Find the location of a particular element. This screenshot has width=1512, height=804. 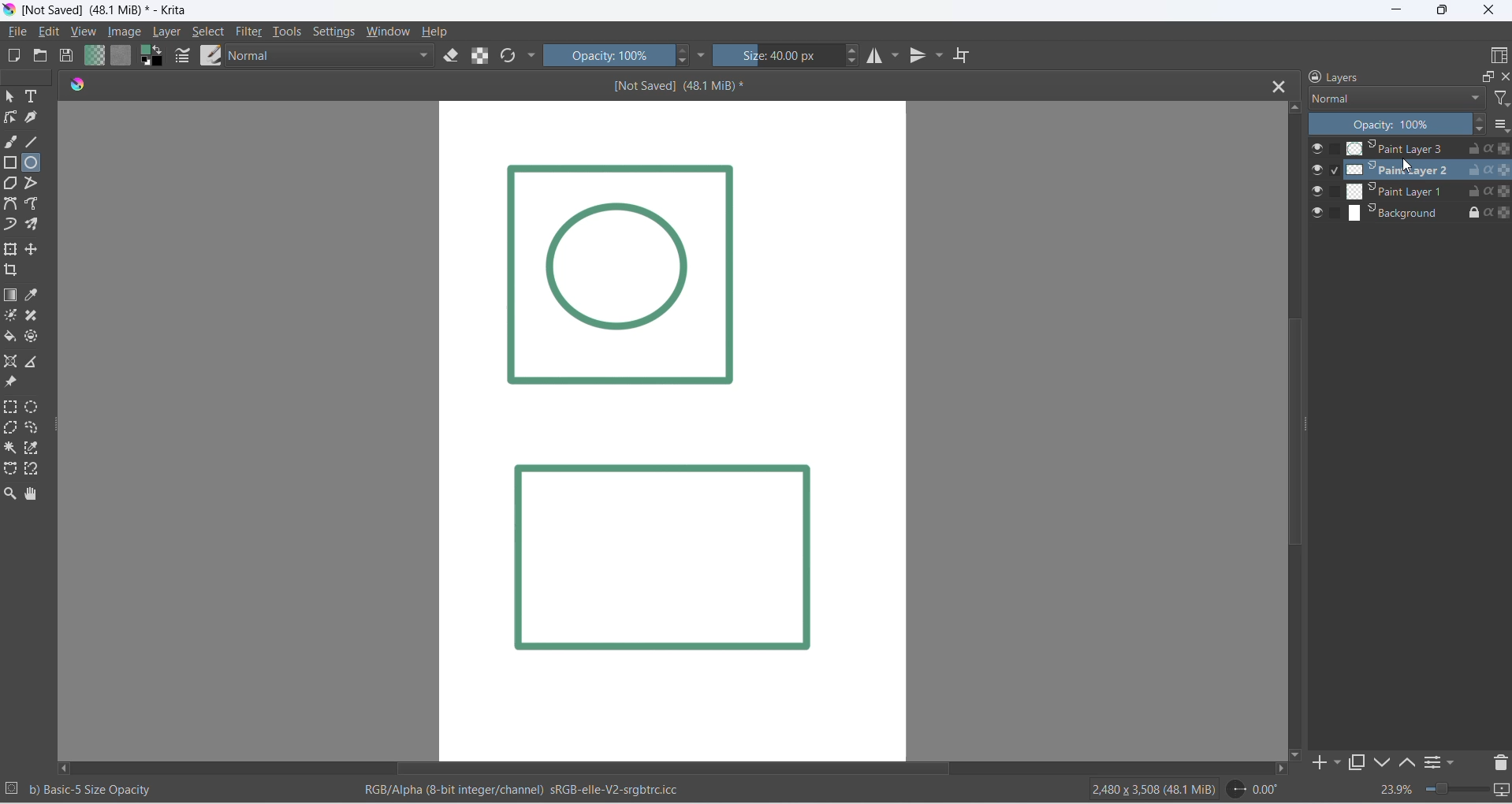

paint layer 2 is located at coordinates (1397, 192).